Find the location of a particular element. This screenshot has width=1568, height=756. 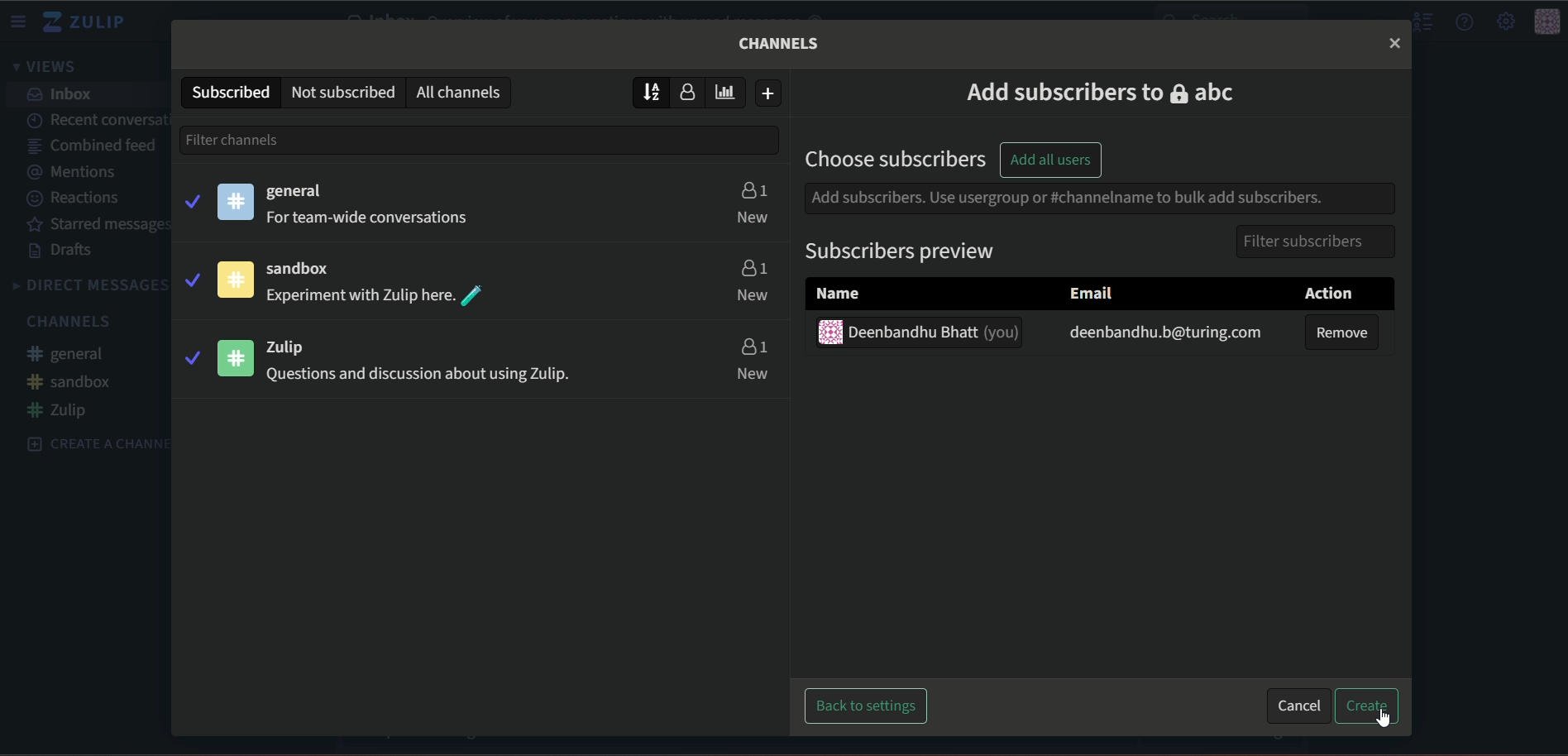

Filter subscribers is located at coordinates (1296, 241).